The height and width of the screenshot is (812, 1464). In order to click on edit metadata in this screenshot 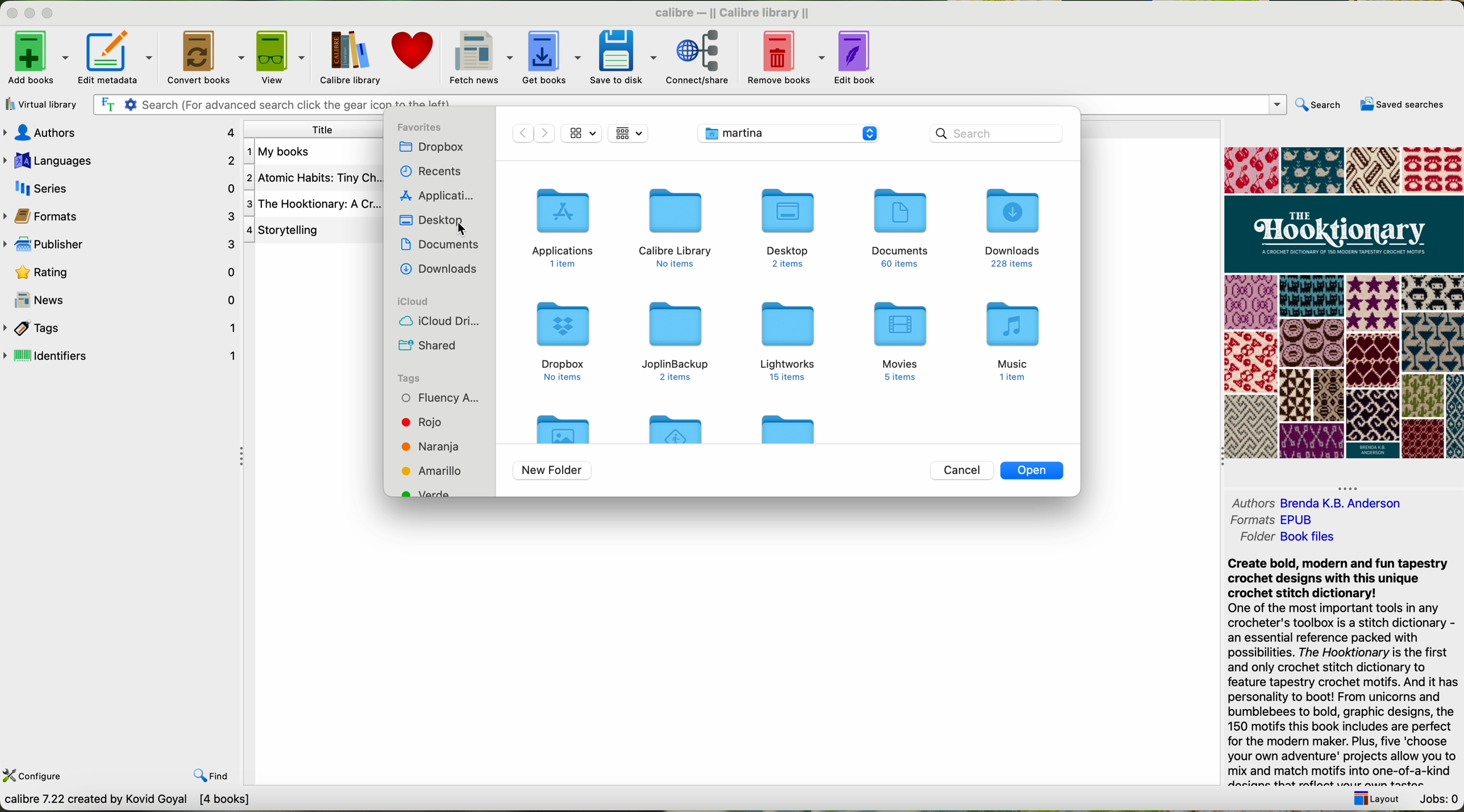, I will do `click(116, 58)`.